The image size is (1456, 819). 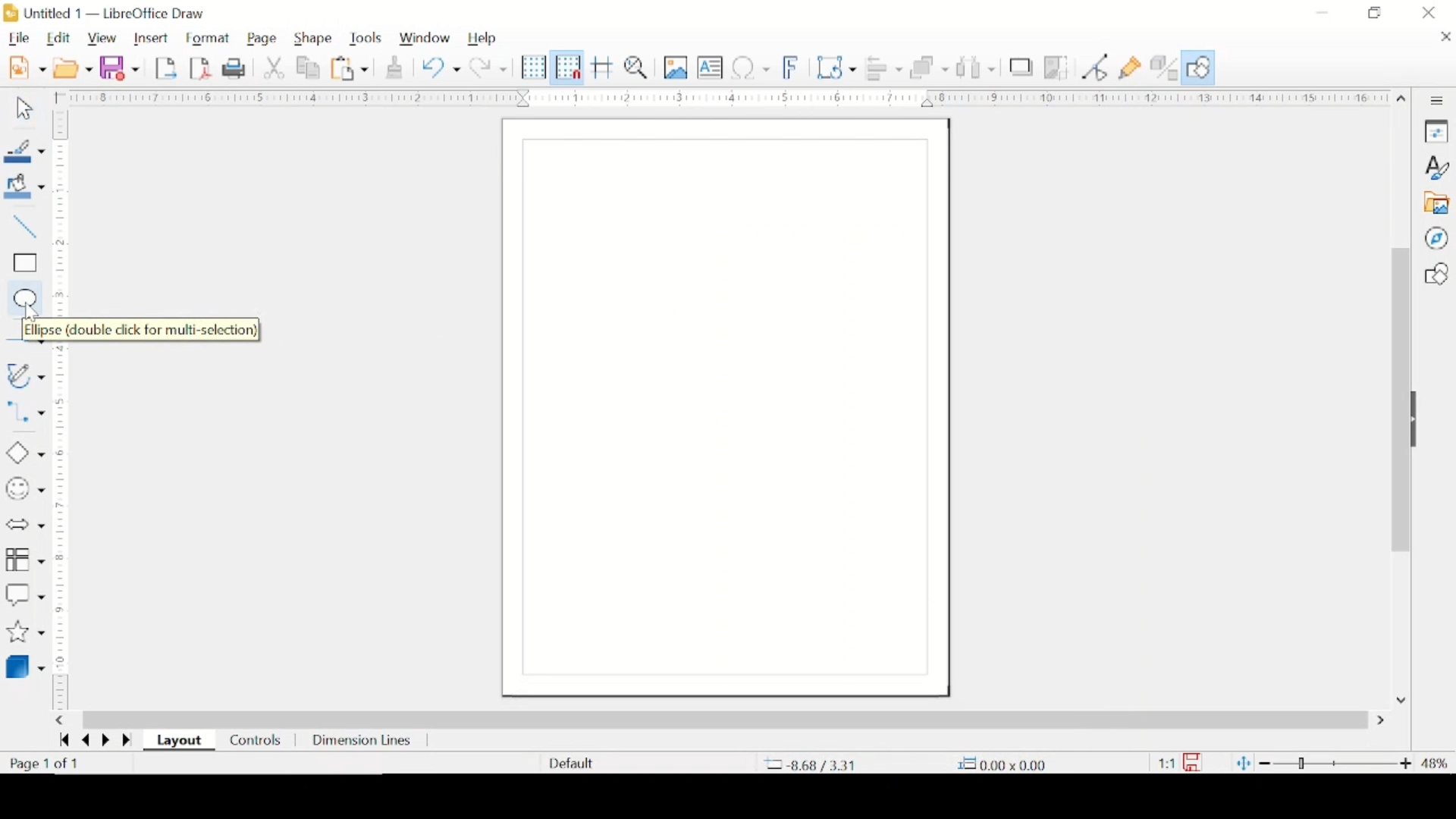 What do you see at coordinates (210, 37) in the screenshot?
I see `format` at bounding box center [210, 37].